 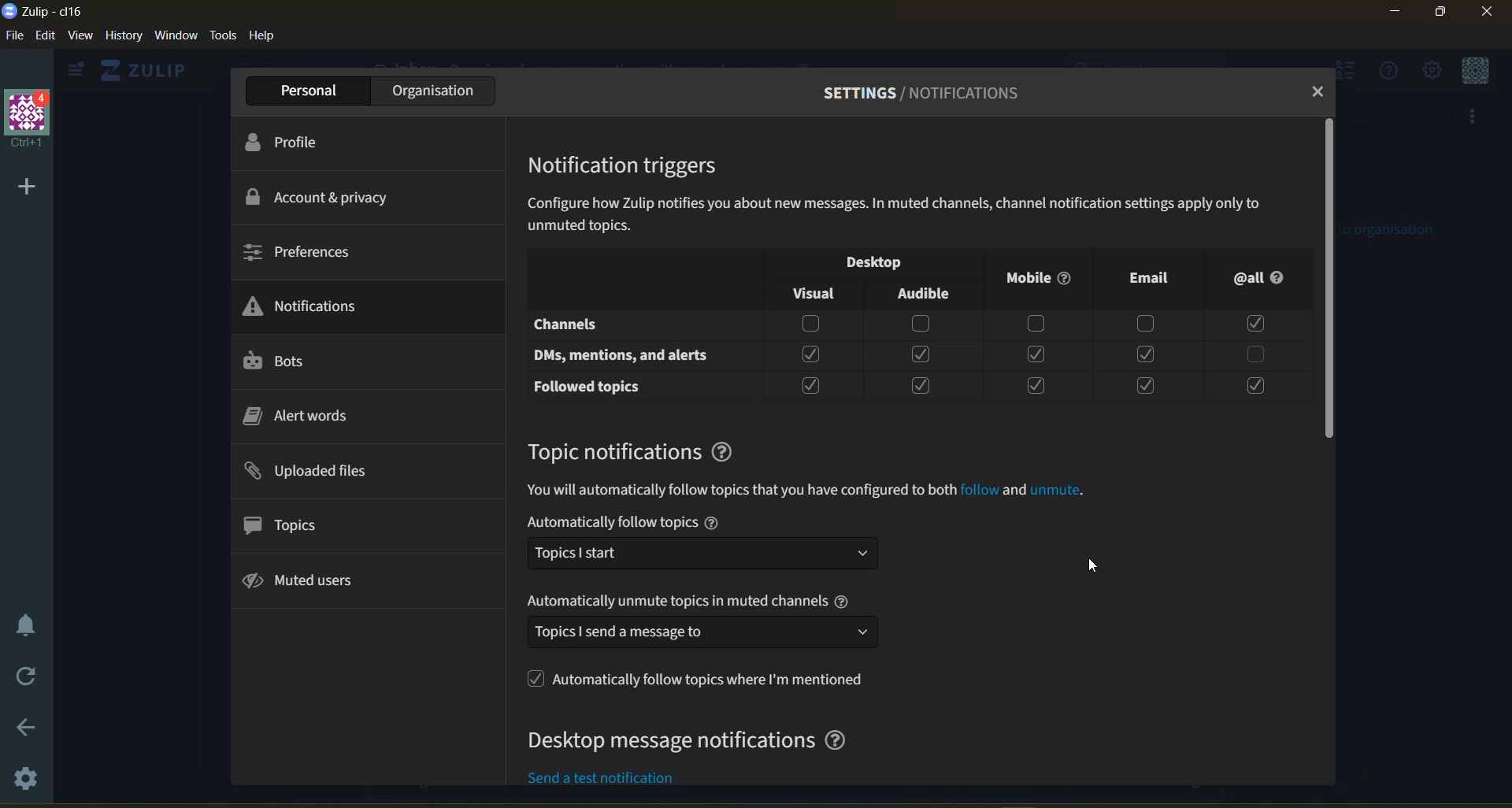 What do you see at coordinates (79, 71) in the screenshot?
I see `view side bar` at bounding box center [79, 71].